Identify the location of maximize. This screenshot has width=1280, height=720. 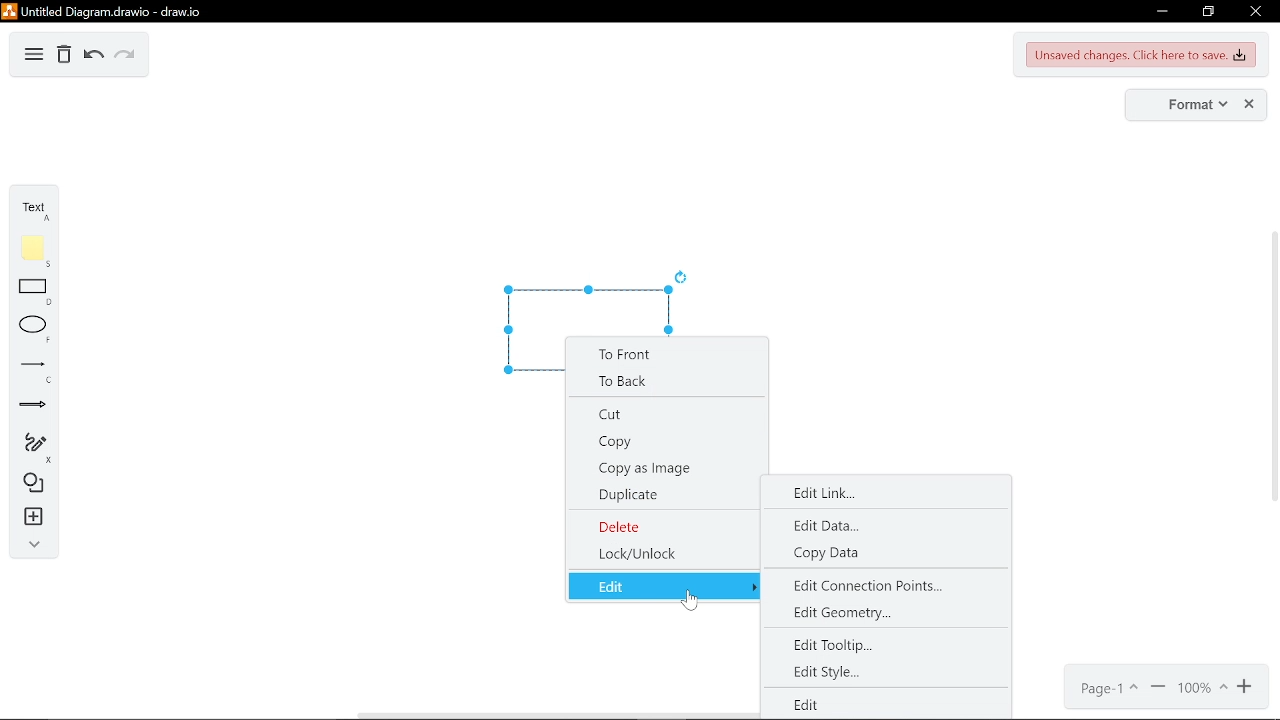
(1207, 12).